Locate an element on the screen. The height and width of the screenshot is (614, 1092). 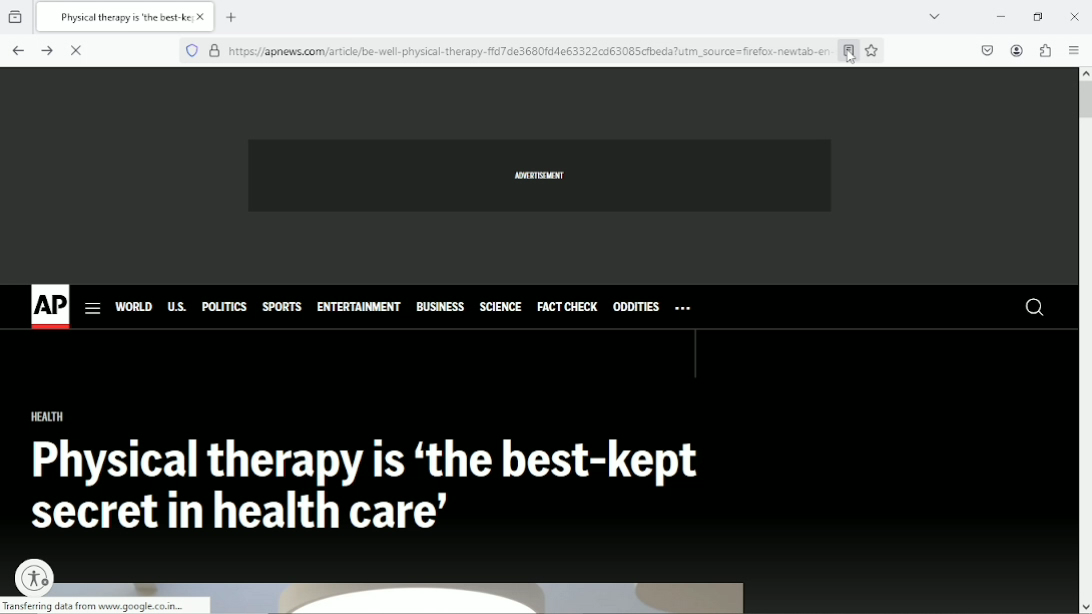
SCIENCE is located at coordinates (500, 305).